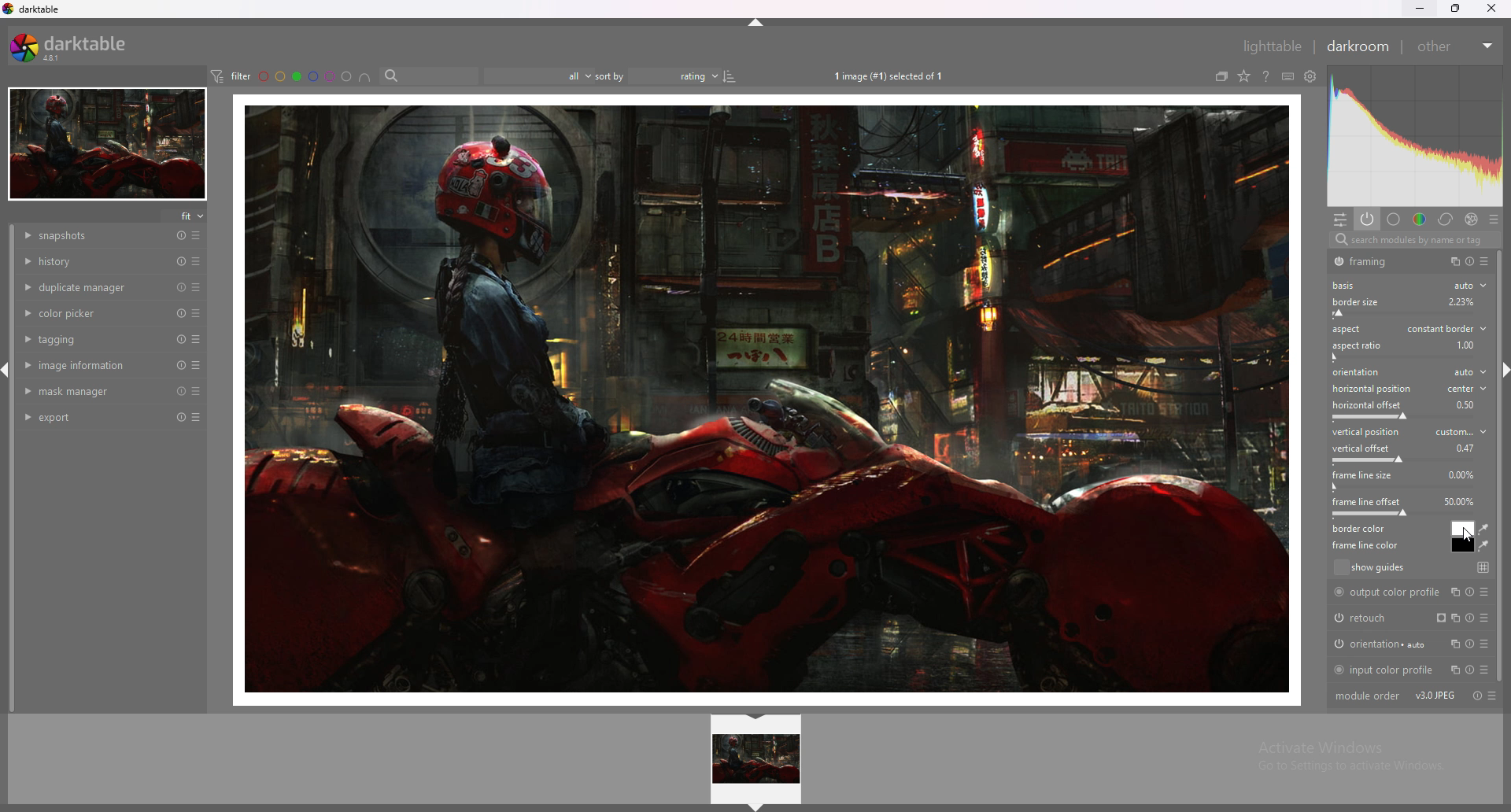  I want to click on border color, so click(1463, 528).